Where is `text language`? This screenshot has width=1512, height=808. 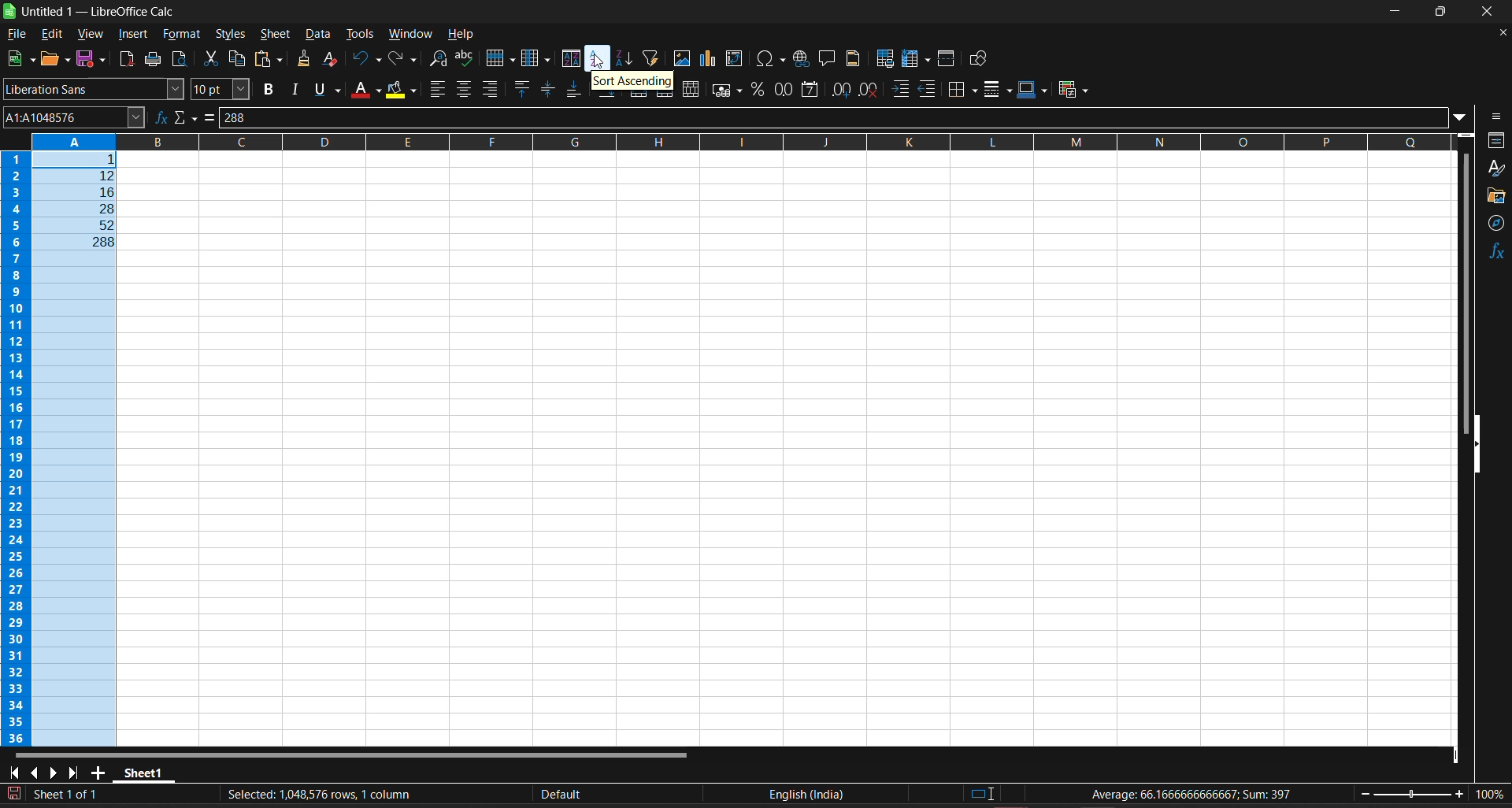 text language is located at coordinates (807, 793).